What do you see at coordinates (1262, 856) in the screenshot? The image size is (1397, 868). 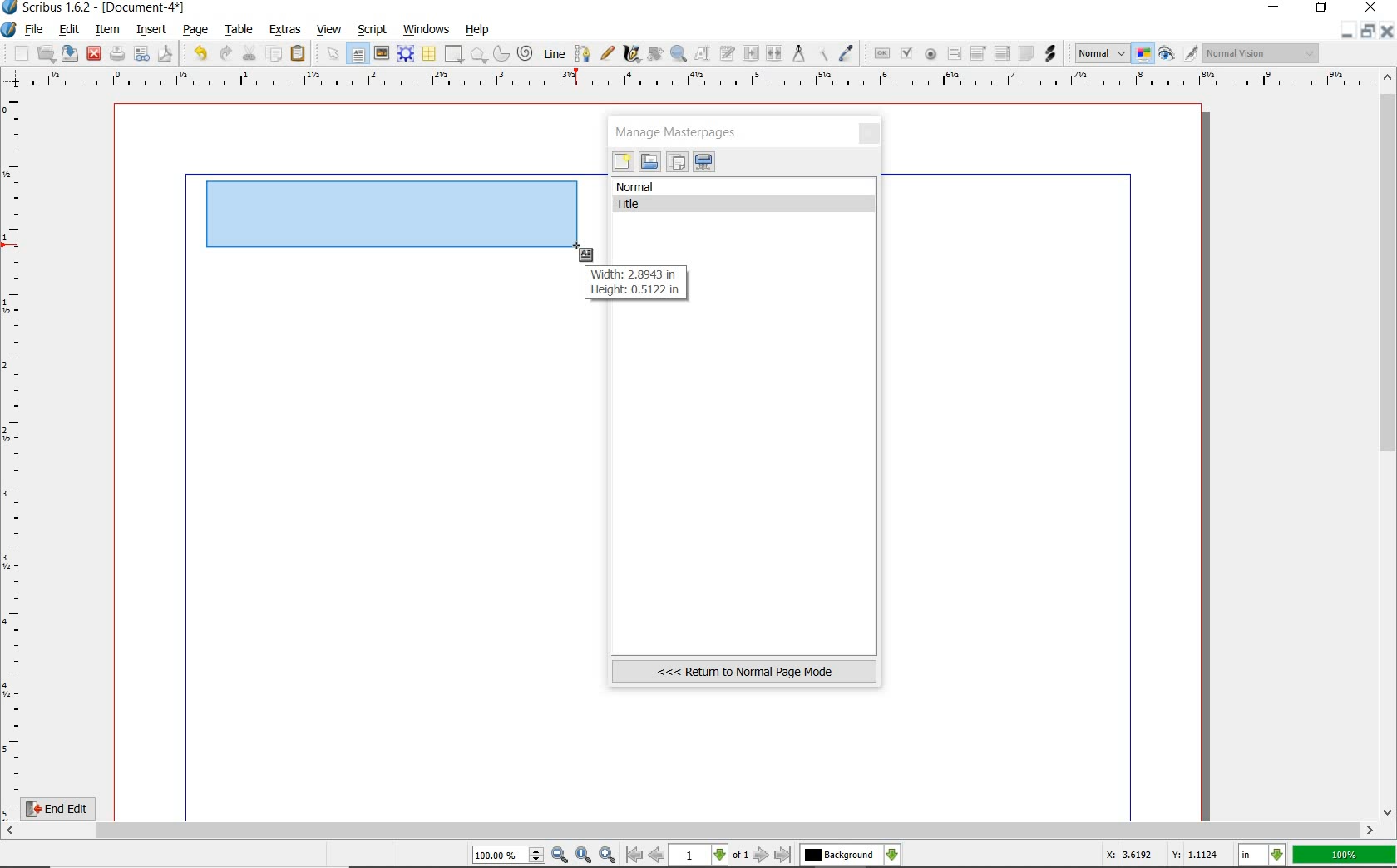 I see `in` at bounding box center [1262, 856].